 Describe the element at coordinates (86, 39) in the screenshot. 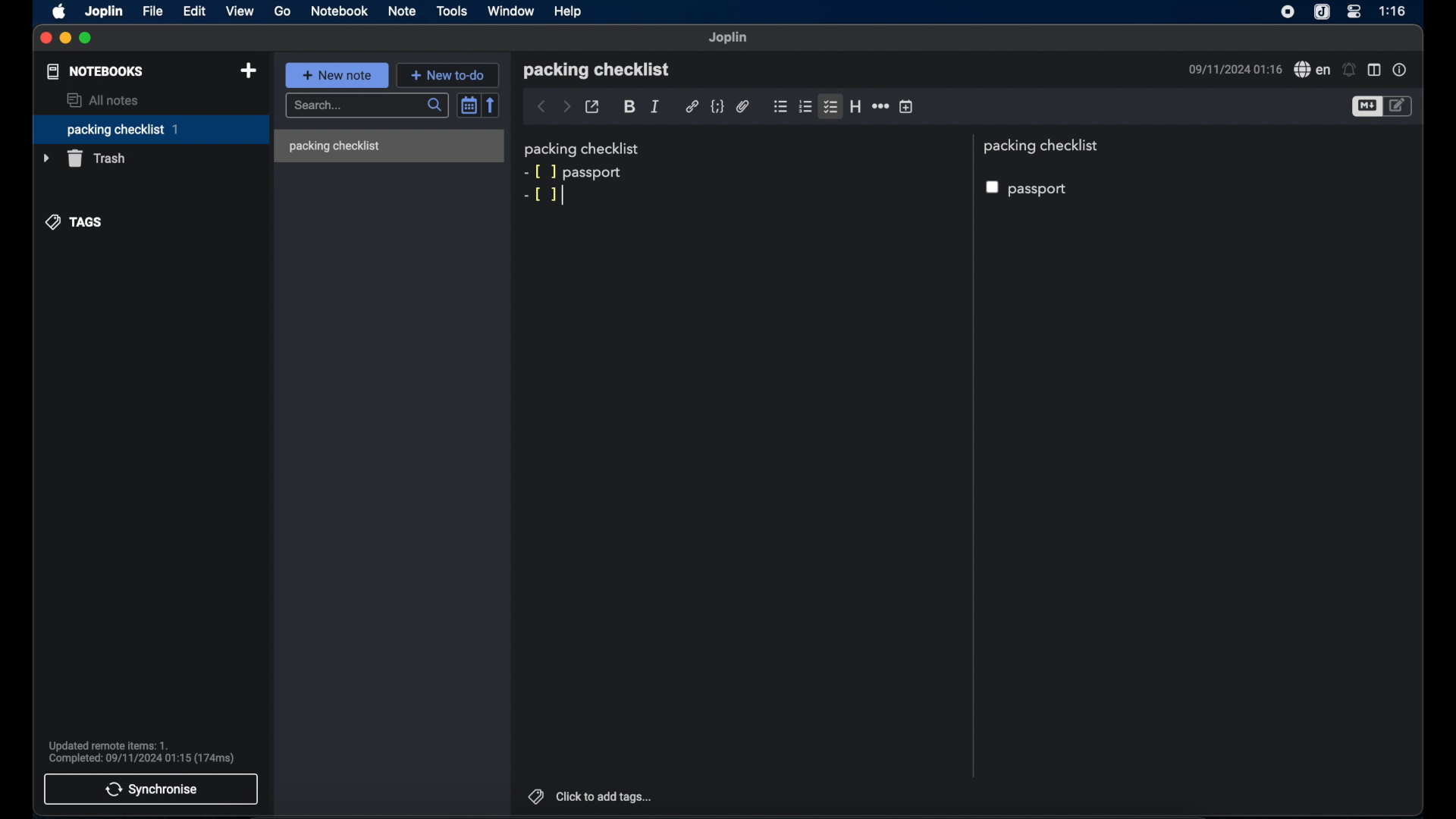

I see `maximize` at that location.